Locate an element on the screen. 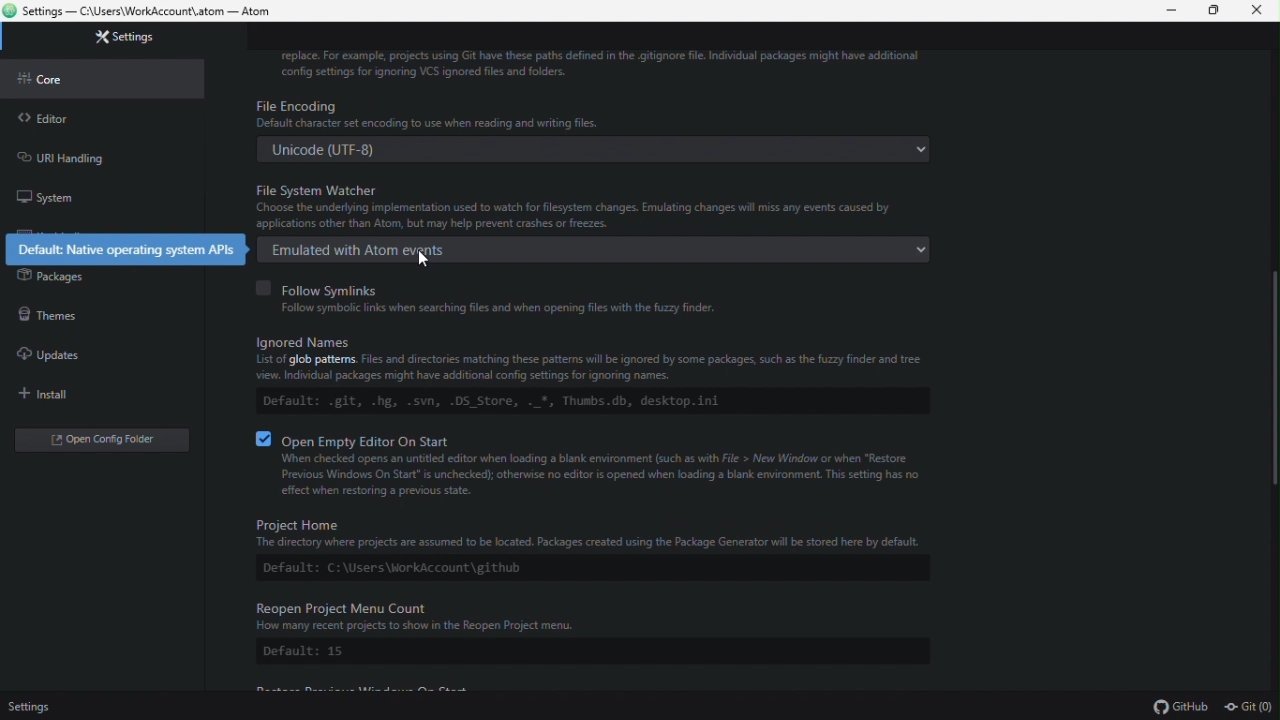 The width and height of the screenshot is (1280, 720). system is located at coordinates (83, 194).